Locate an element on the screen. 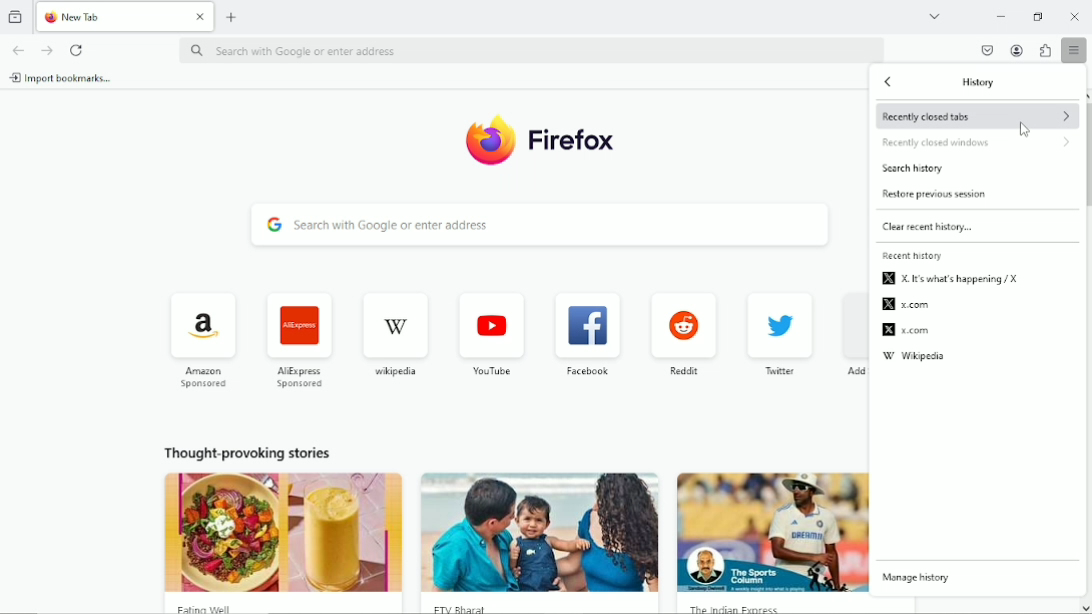 The width and height of the screenshot is (1092, 614). history is located at coordinates (981, 83).